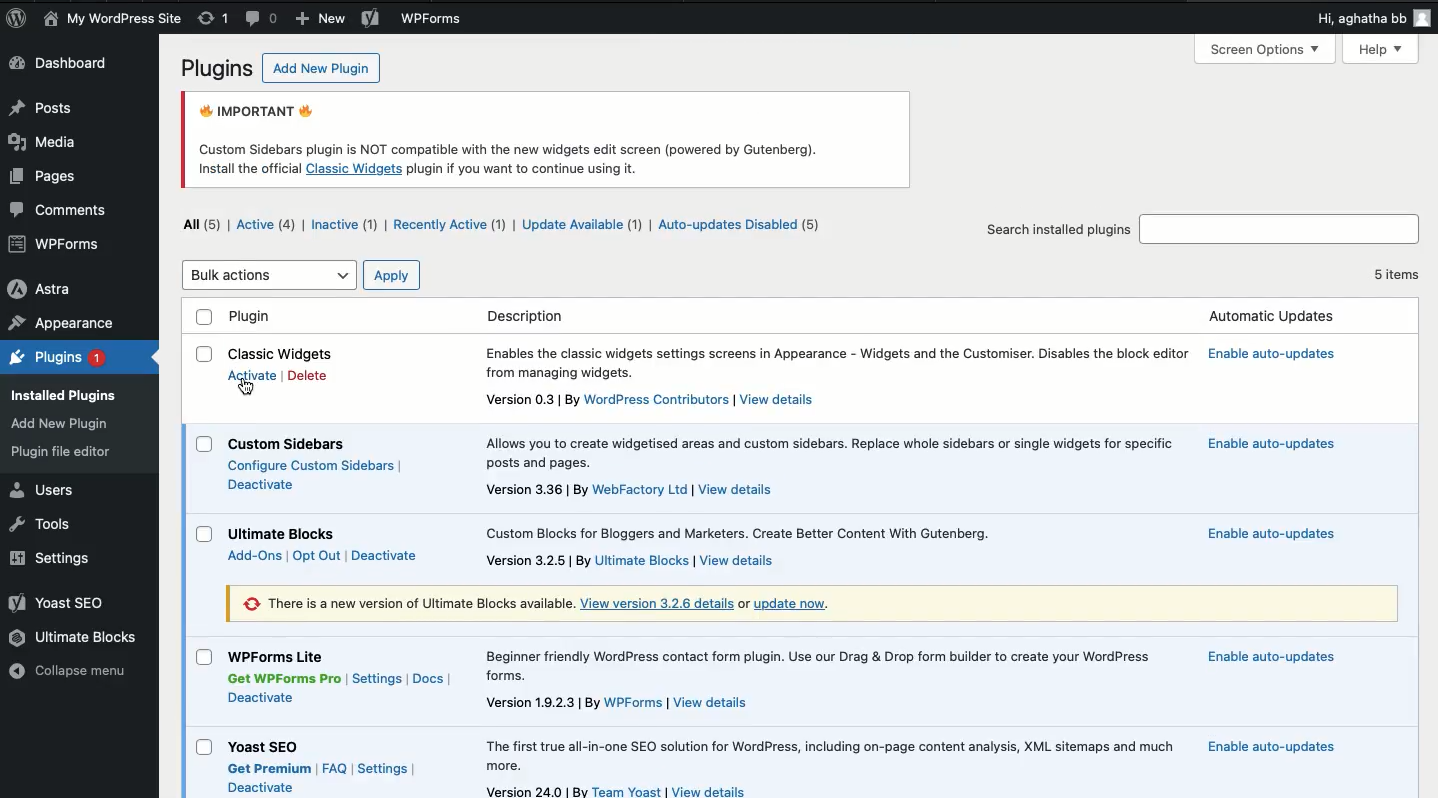 The width and height of the screenshot is (1438, 798). Describe the element at coordinates (44, 144) in the screenshot. I see `Media` at that location.